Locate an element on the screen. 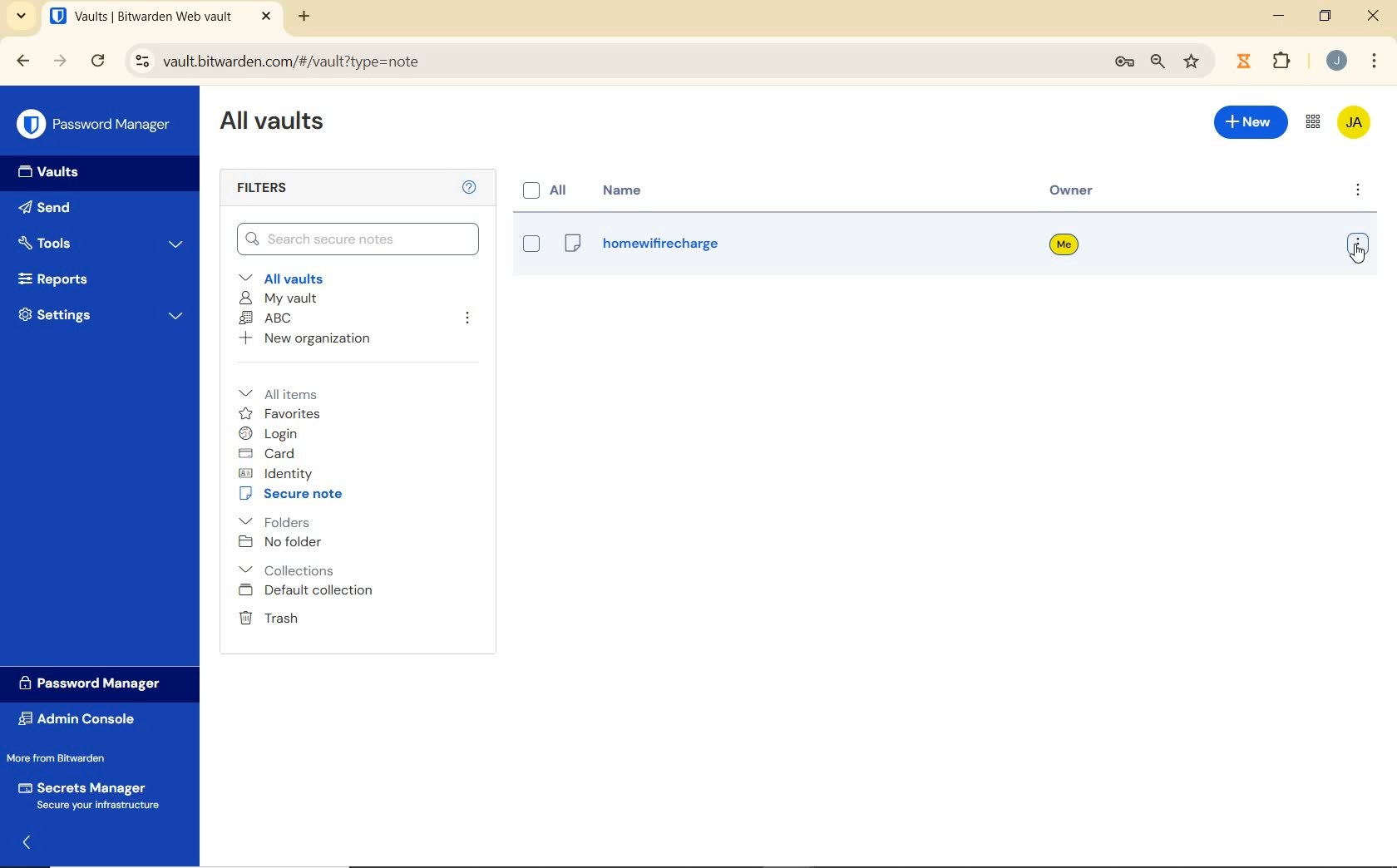  All Vaults is located at coordinates (273, 124).